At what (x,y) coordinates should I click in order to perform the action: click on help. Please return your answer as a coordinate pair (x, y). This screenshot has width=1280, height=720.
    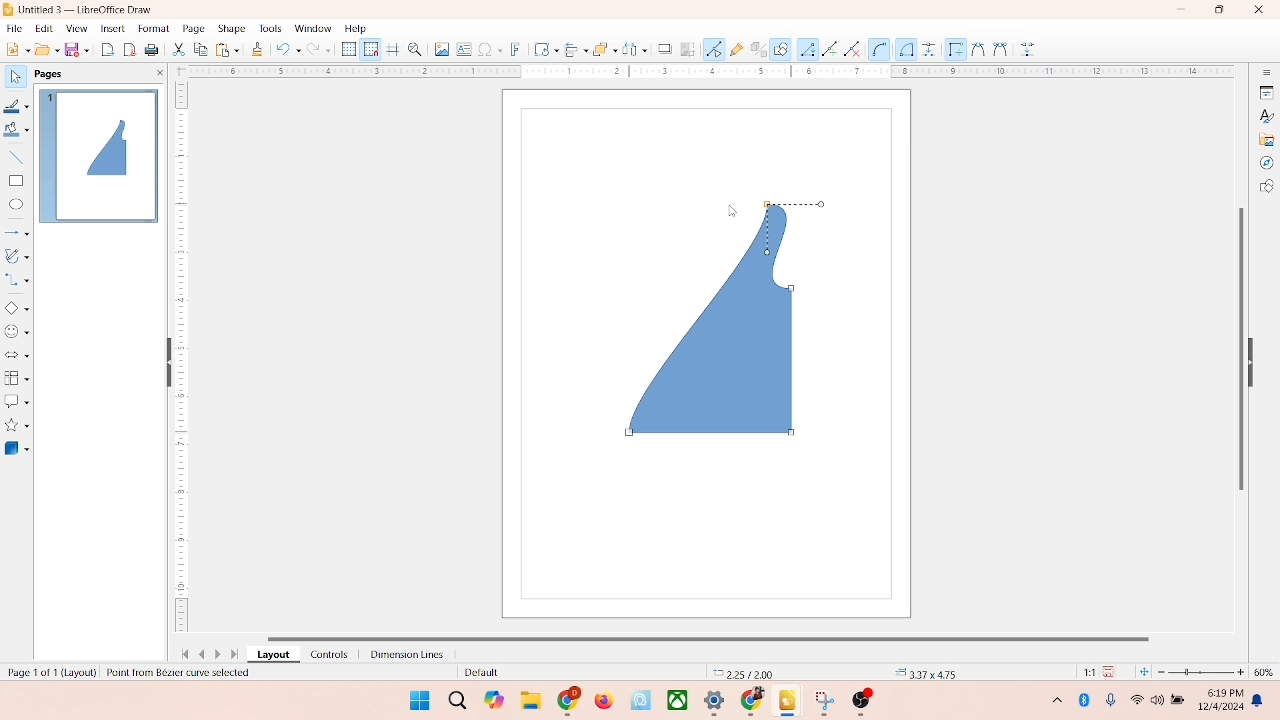
    Looking at the image, I should click on (356, 28).